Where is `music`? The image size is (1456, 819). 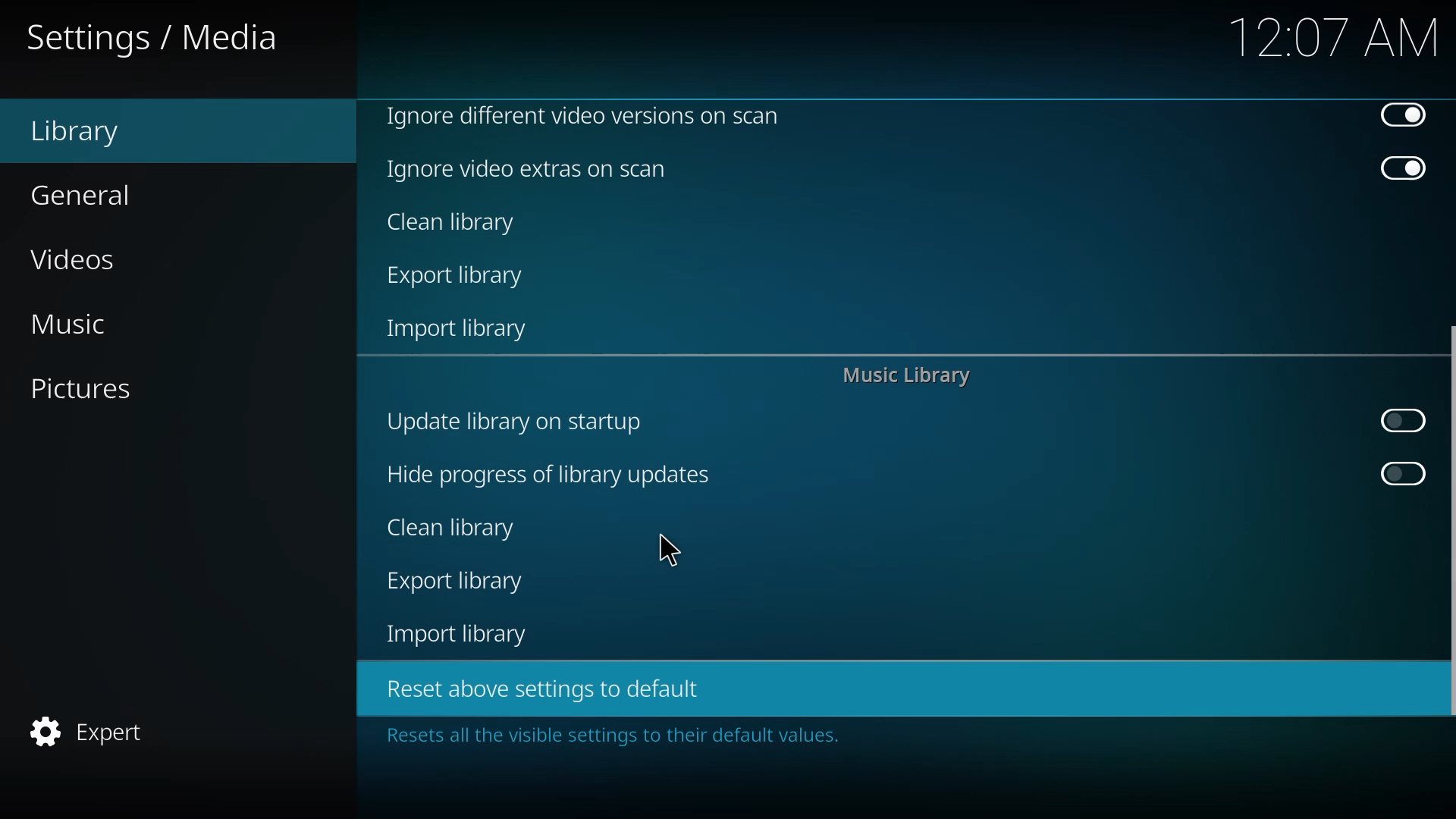 music is located at coordinates (67, 324).